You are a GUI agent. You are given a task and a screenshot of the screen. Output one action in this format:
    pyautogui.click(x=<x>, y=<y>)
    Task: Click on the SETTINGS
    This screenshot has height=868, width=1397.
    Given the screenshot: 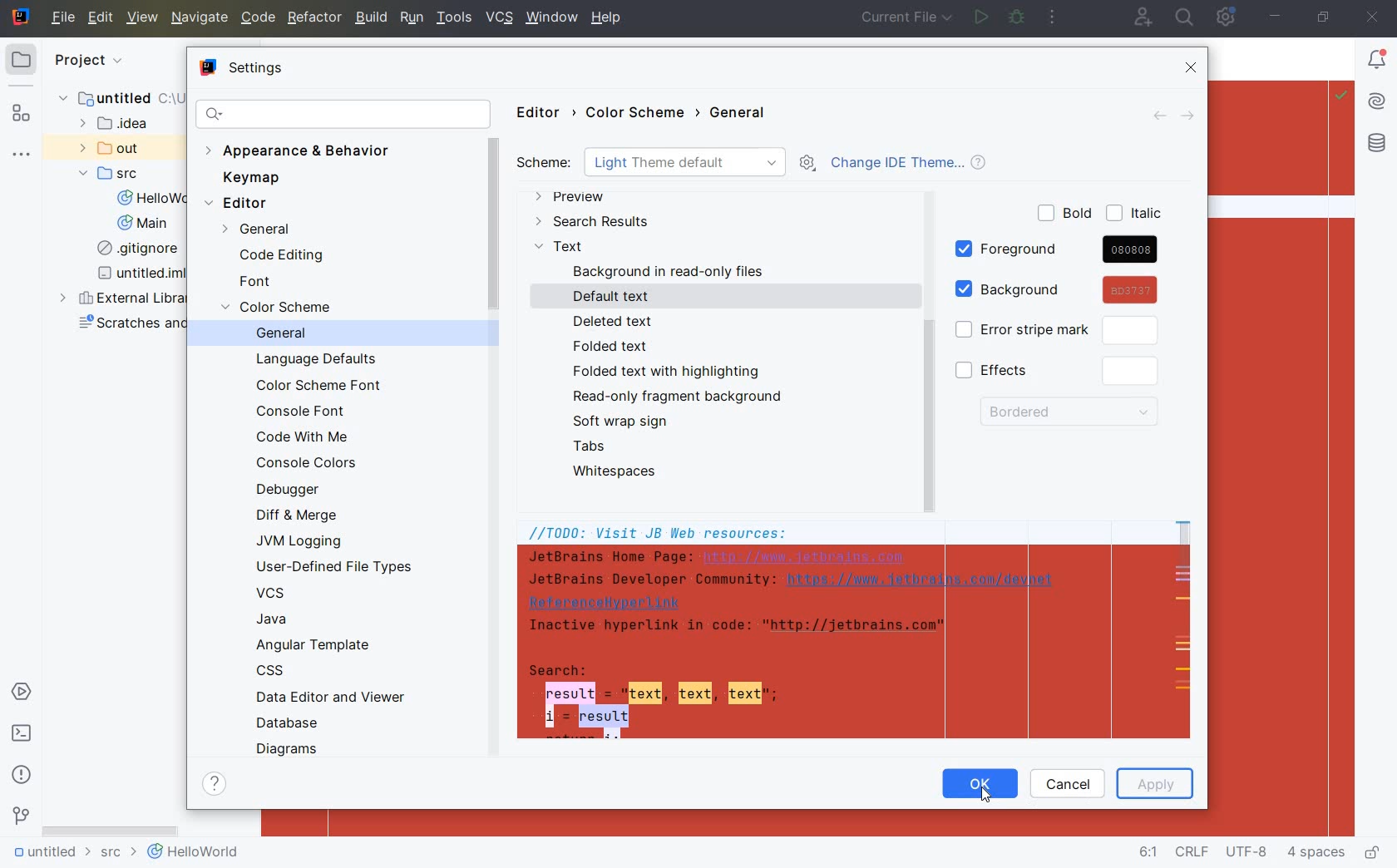 What is the action you would take?
    pyautogui.click(x=244, y=70)
    